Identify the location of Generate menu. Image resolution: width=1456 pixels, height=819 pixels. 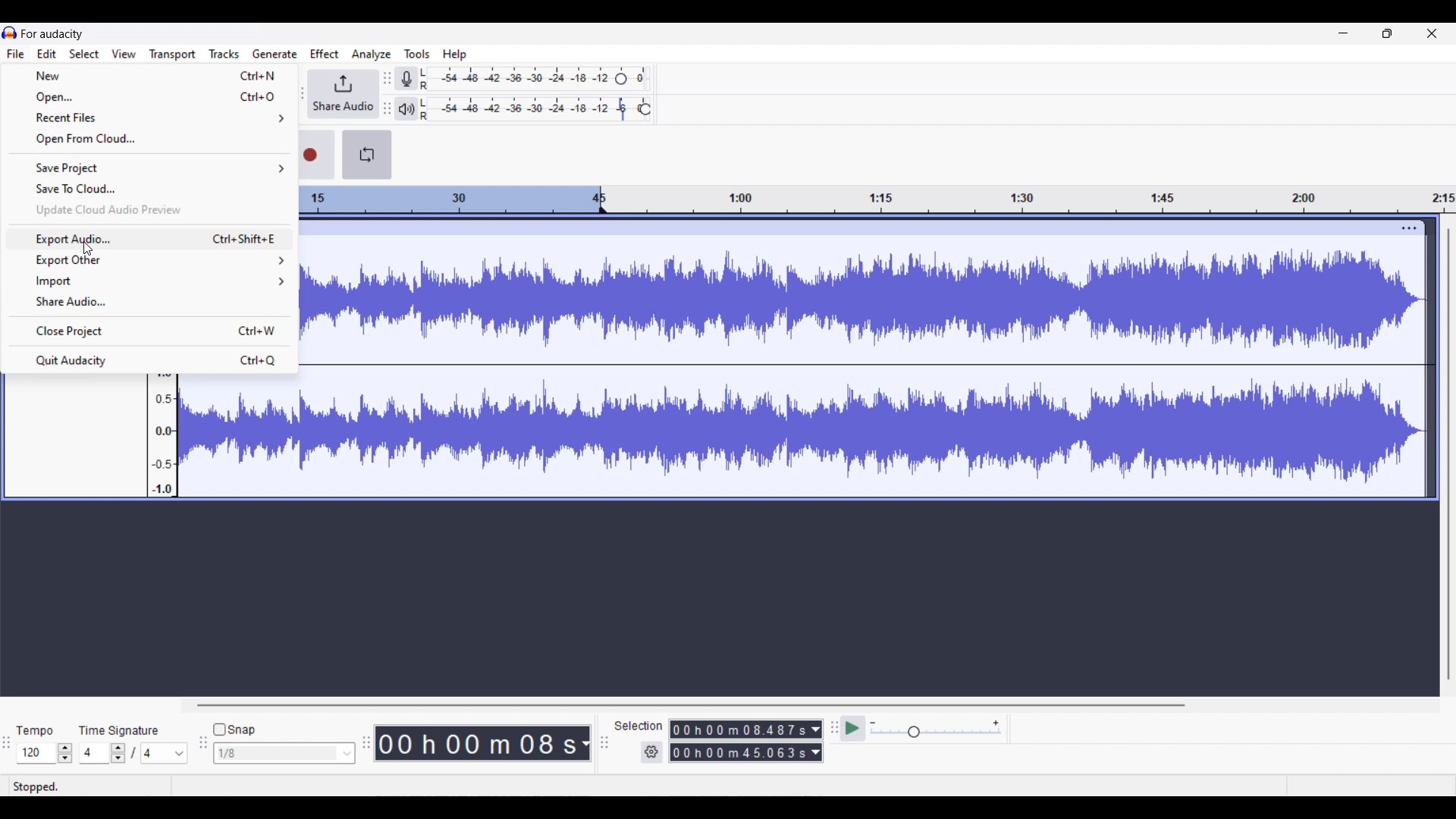
(275, 54).